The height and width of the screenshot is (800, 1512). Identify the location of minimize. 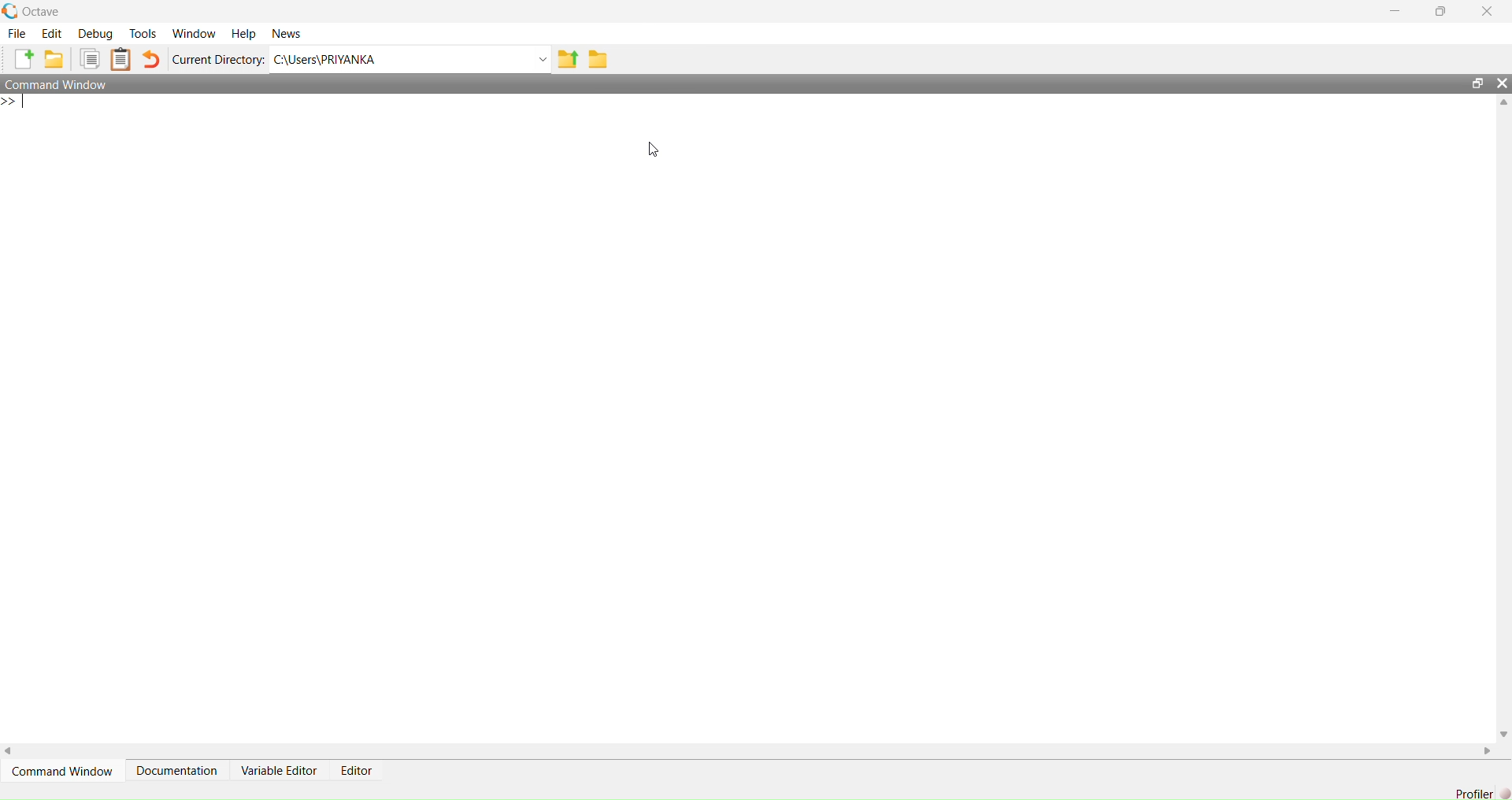
(1395, 11).